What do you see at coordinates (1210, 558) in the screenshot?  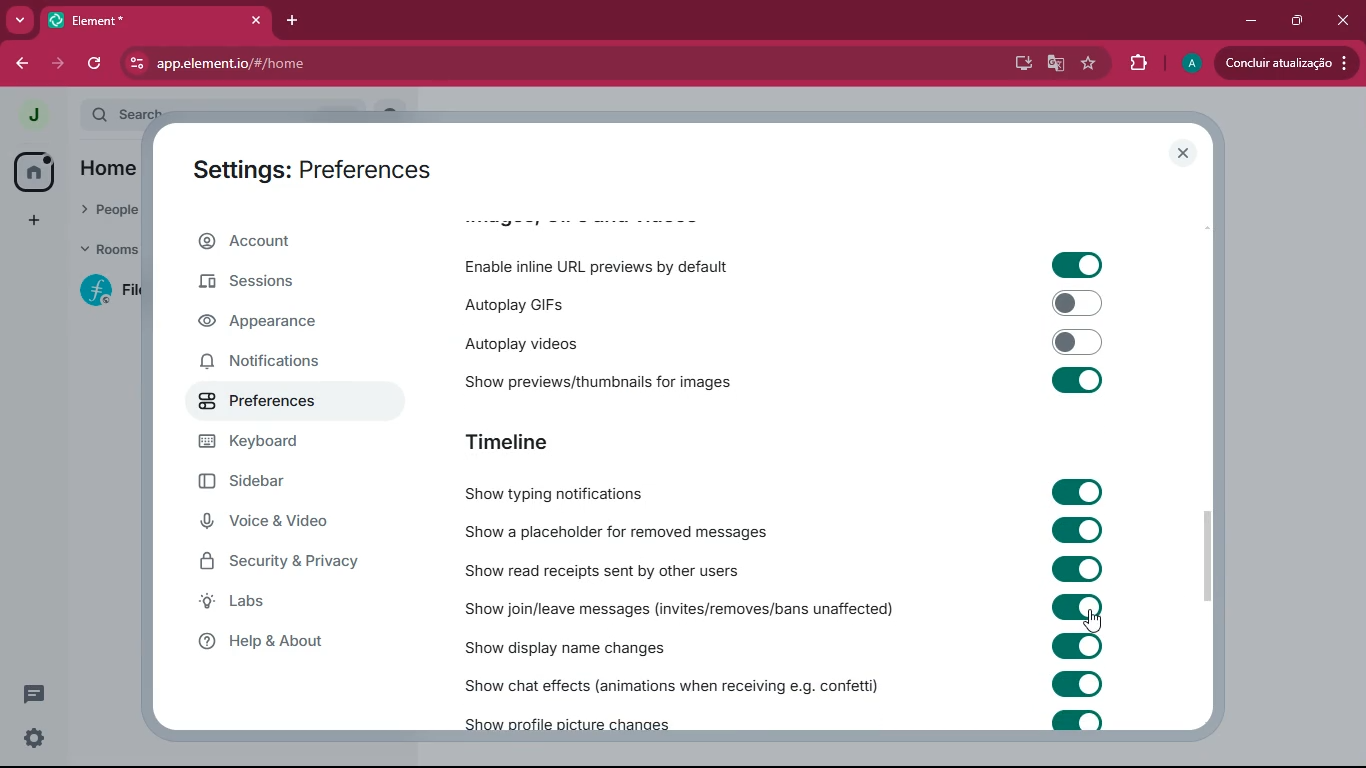 I see `scroll bar` at bounding box center [1210, 558].